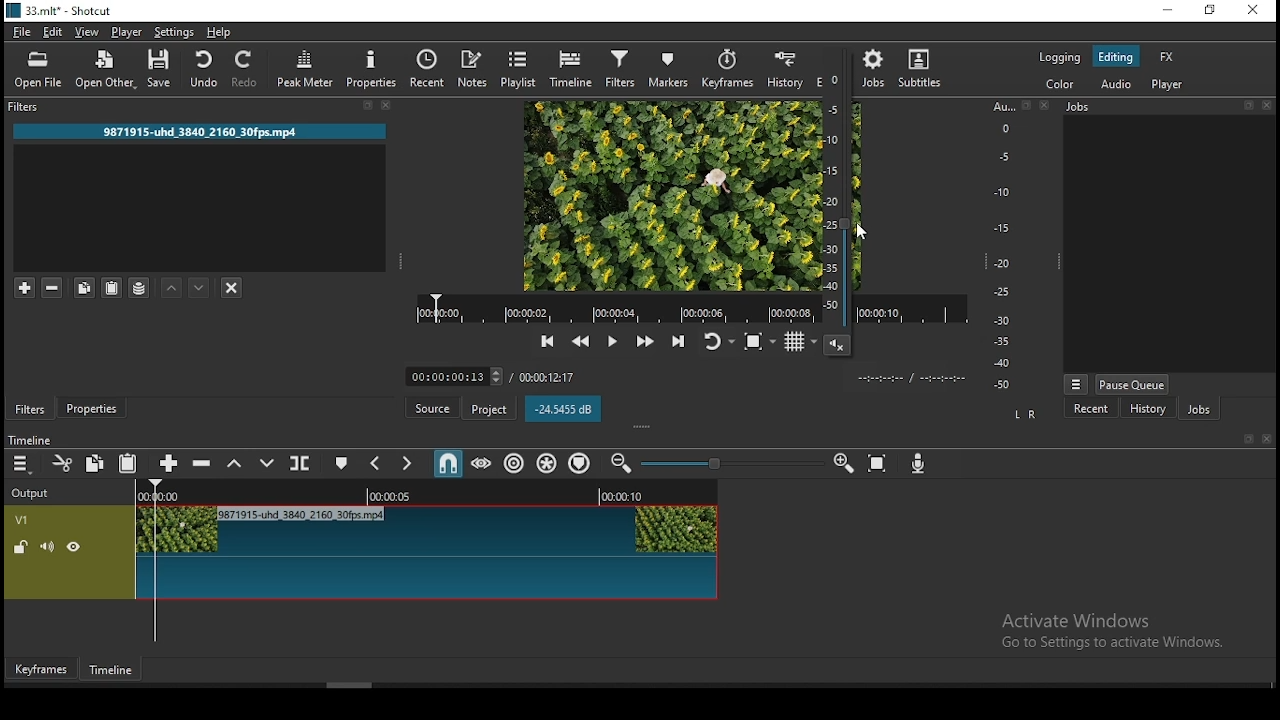 Image resolution: width=1280 pixels, height=720 pixels. What do you see at coordinates (364, 105) in the screenshot?
I see `bookmark` at bounding box center [364, 105].